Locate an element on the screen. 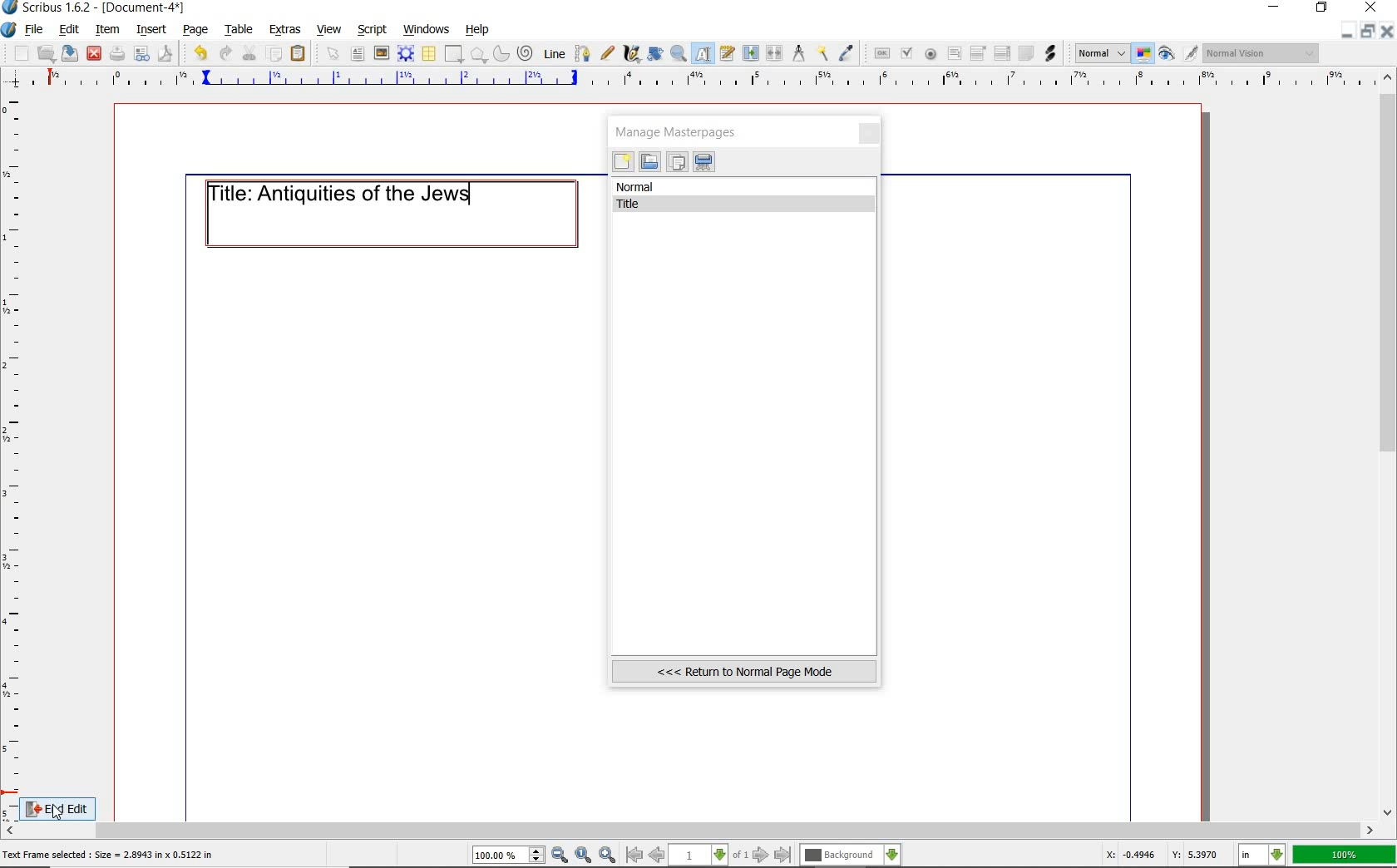 This screenshot has width=1397, height=868. measurements is located at coordinates (799, 54).